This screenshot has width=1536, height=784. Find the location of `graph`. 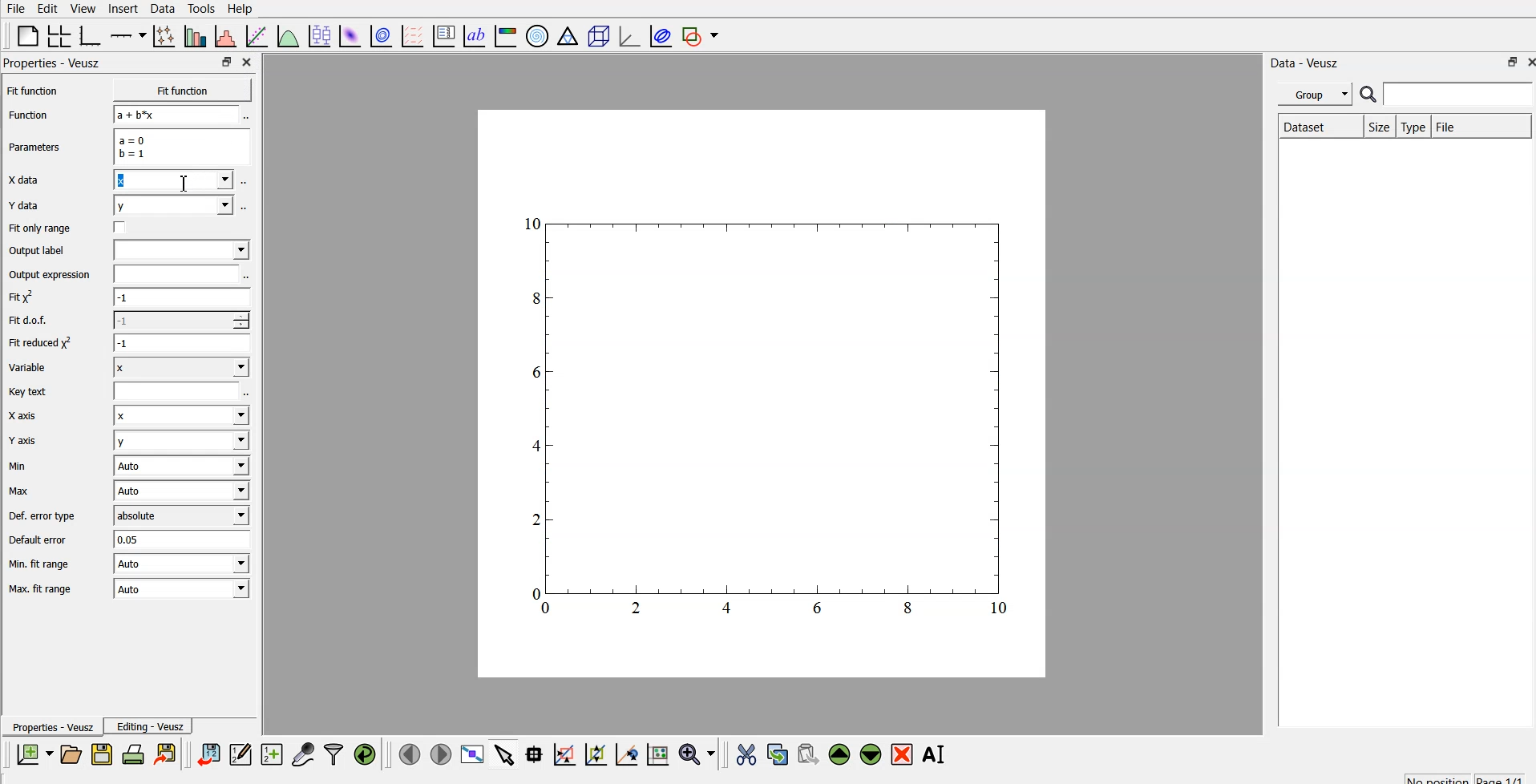

graph is located at coordinates (766, 418).